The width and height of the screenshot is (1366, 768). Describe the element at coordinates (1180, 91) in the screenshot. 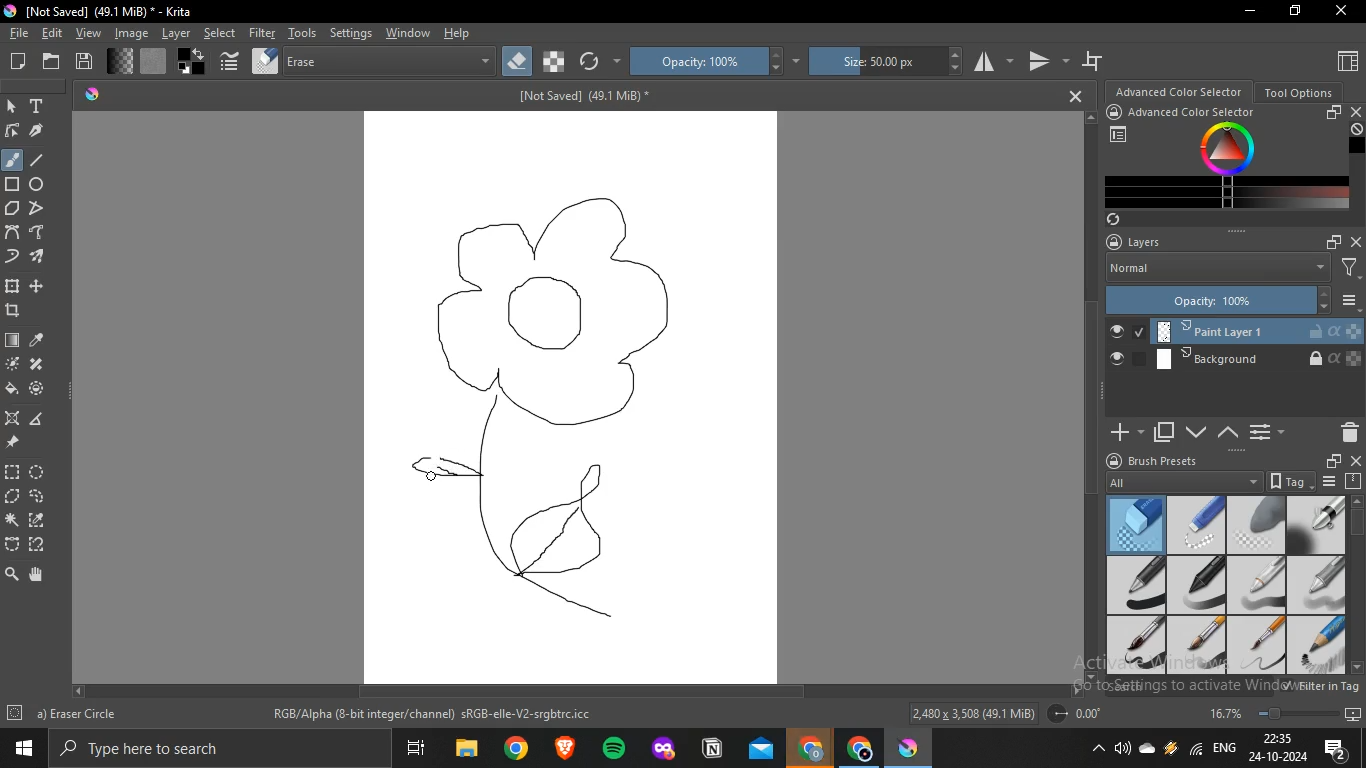

I see `advanced color selector` at that location.